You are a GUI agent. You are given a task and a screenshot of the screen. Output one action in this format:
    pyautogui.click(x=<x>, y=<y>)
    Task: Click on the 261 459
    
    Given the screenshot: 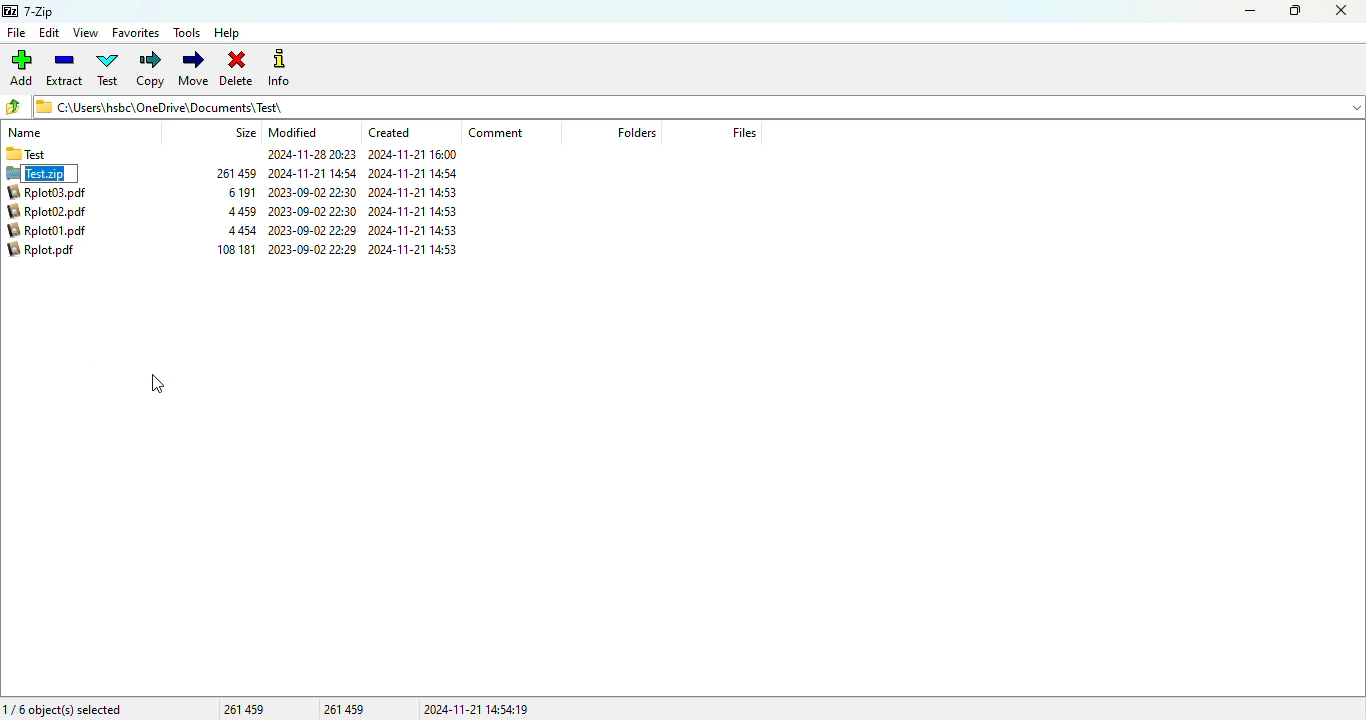 What is the action you would take?
    pyautogui.click(x=244, y=708)
    